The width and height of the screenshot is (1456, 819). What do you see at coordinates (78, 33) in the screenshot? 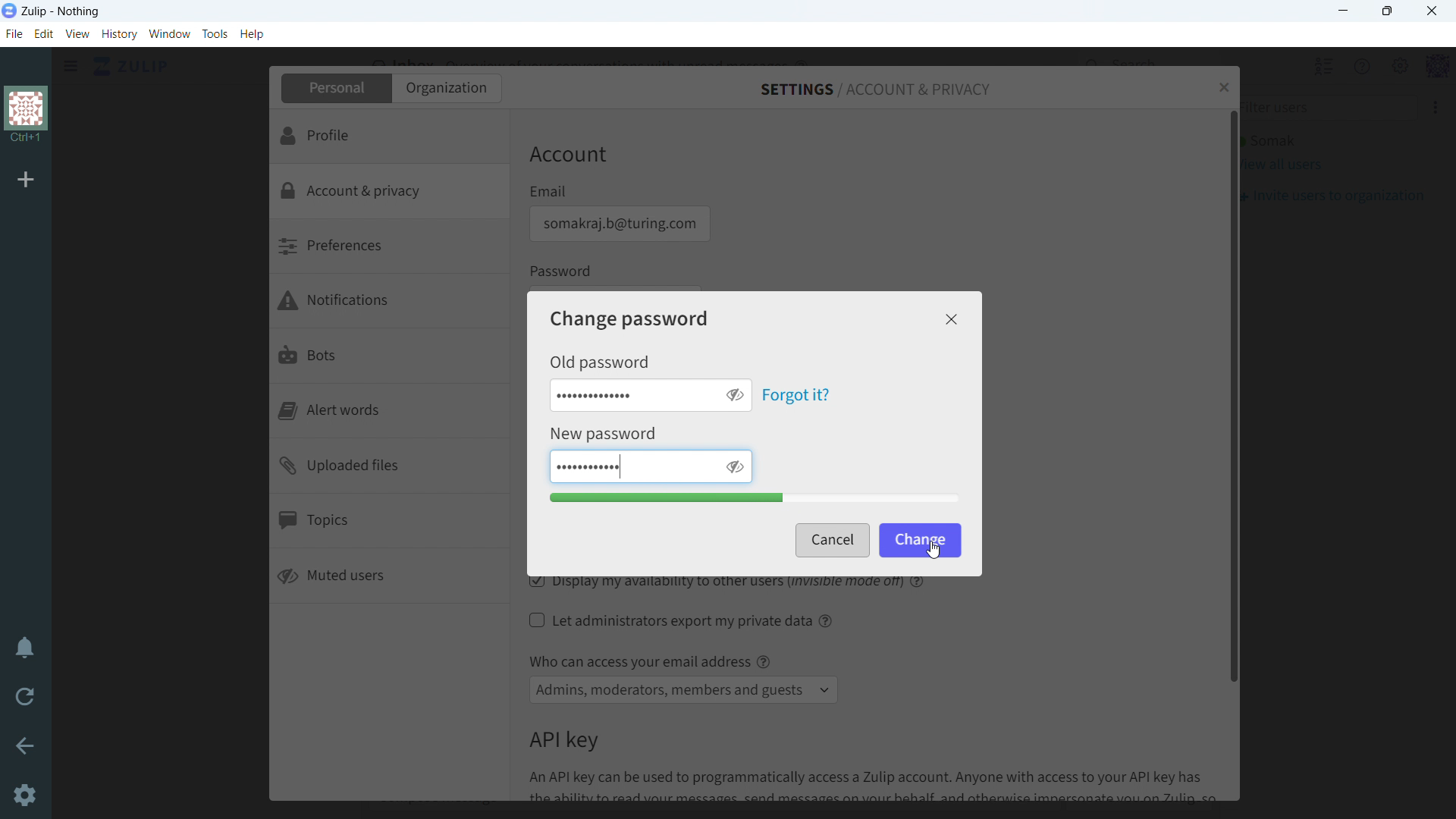
I see `view` at bounding box center [78, 33].